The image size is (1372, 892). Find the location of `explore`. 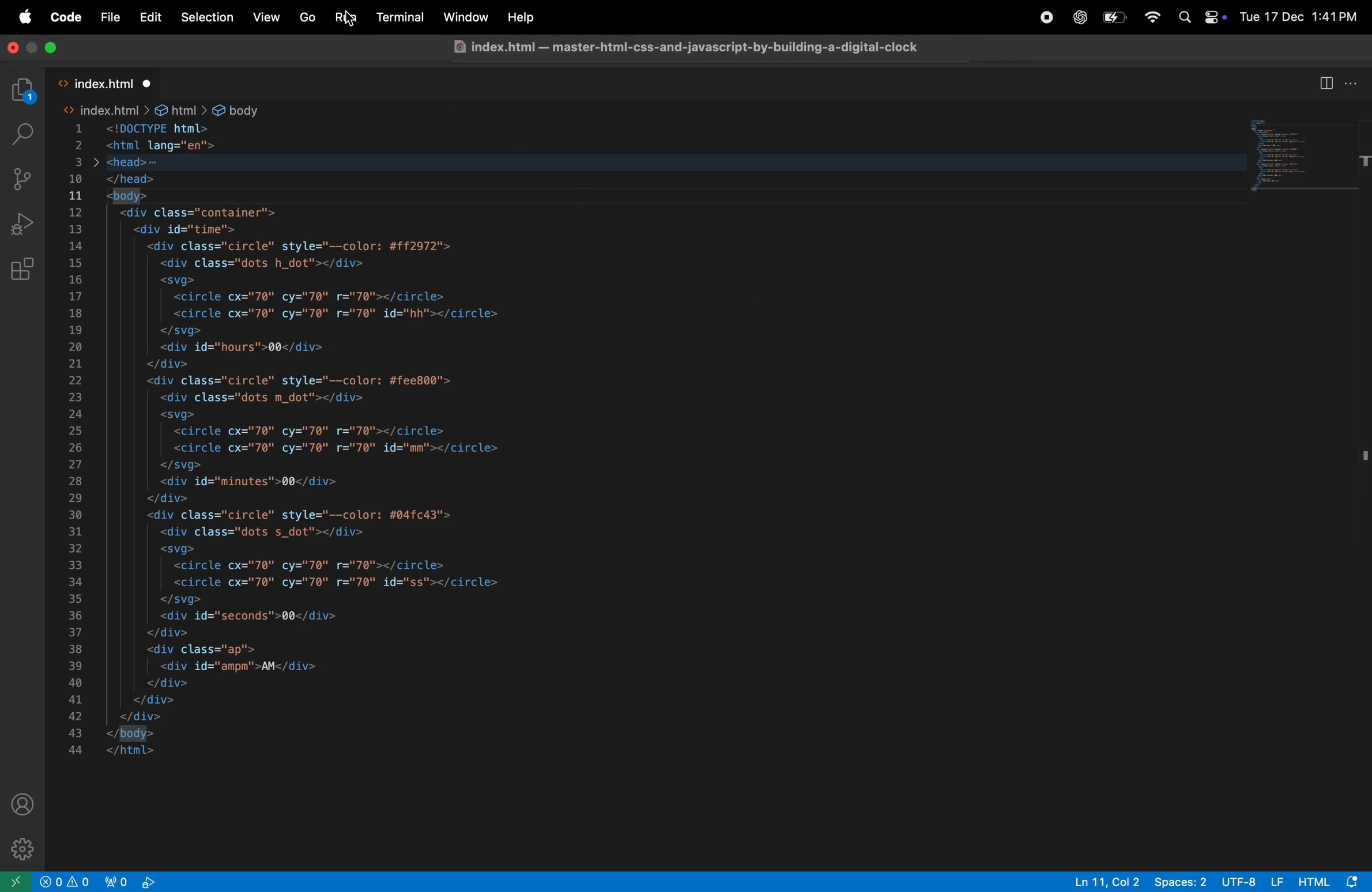

explore is located at coordinates (24, 92).